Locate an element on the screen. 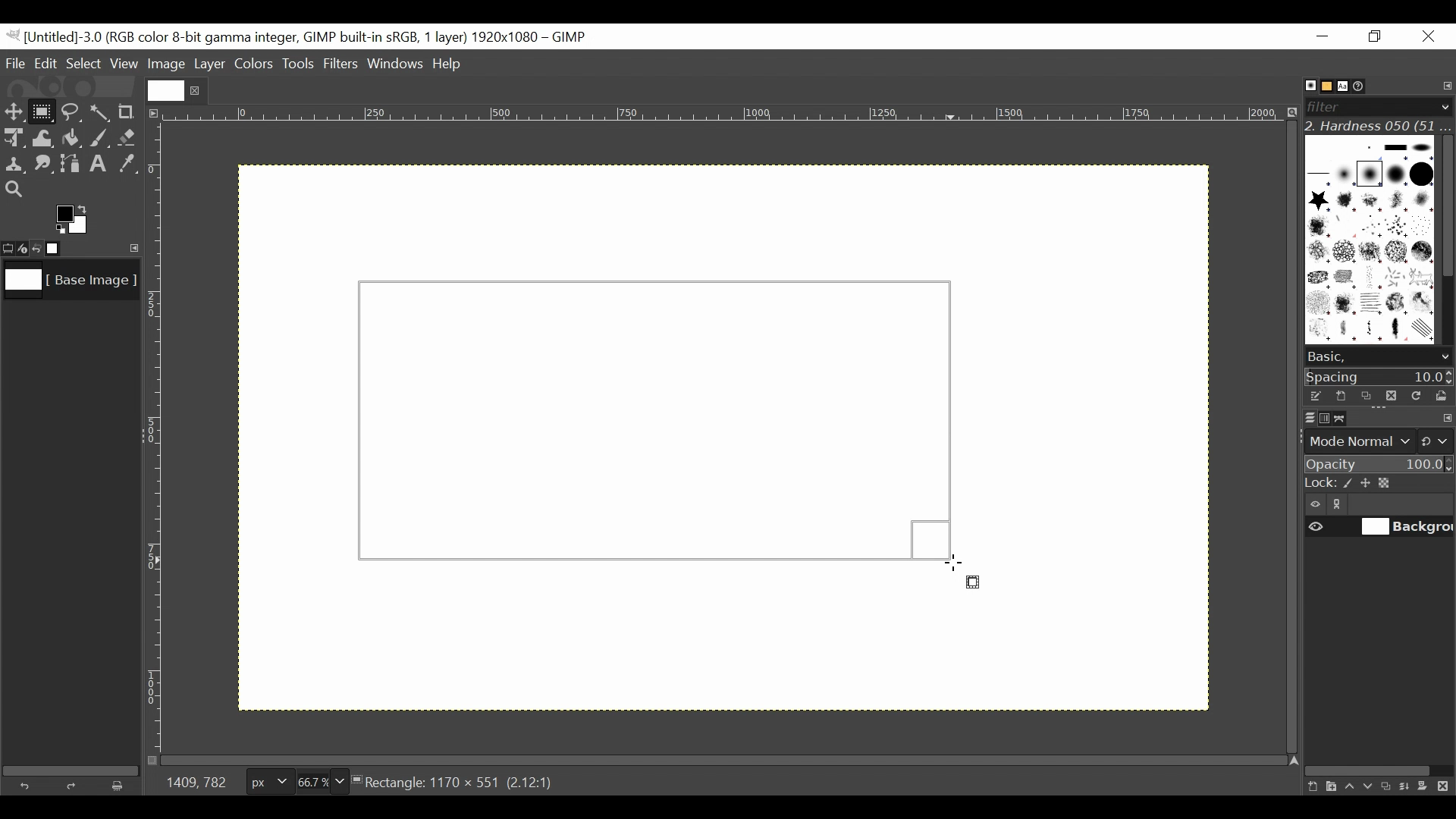 The width and height of the screenshot is (1456, 819). Raise the layer is located at coordinates (1349, 786).